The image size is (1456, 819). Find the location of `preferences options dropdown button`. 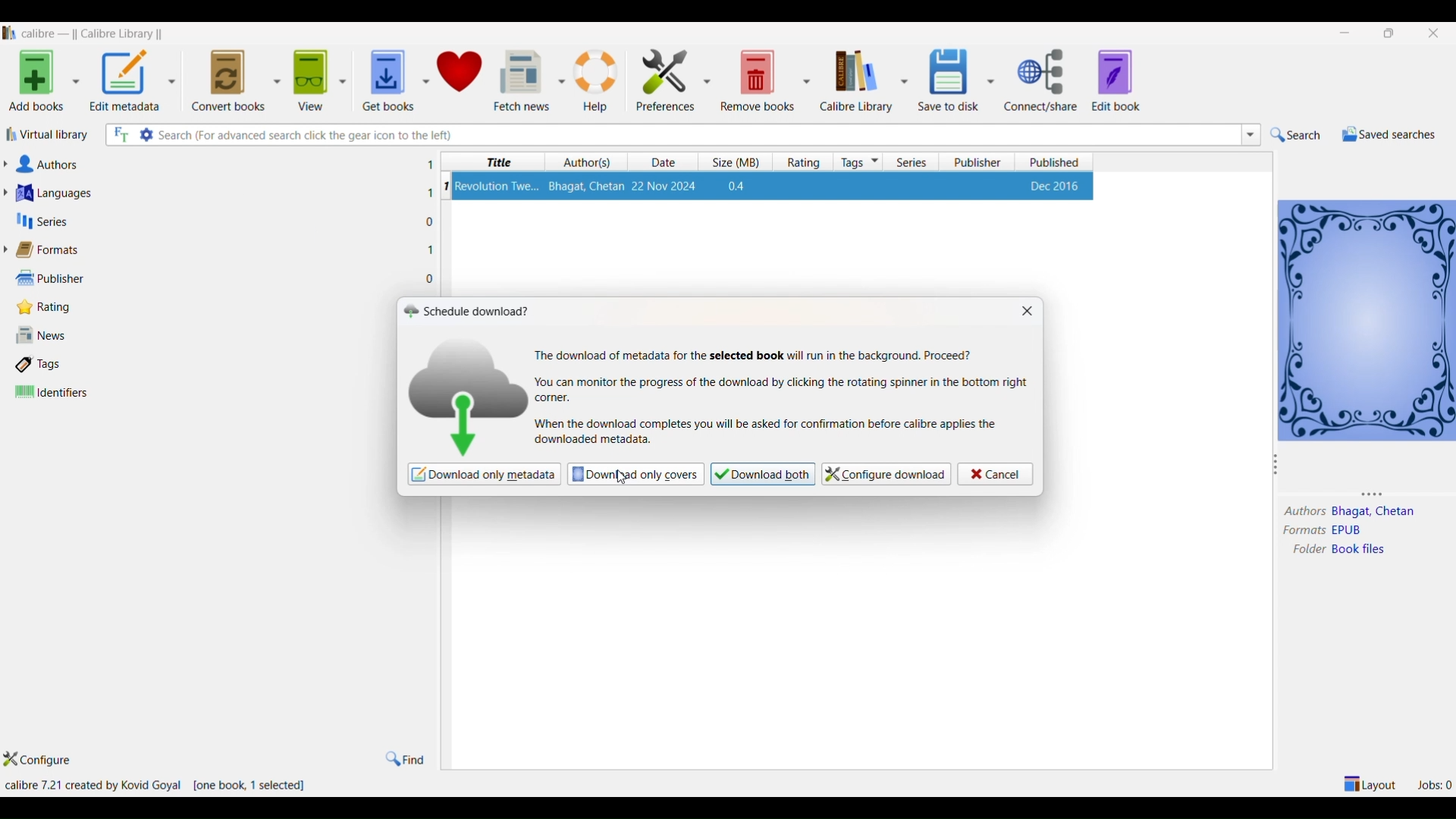

preferences options dropdown button is located at coordinates (708, 80).